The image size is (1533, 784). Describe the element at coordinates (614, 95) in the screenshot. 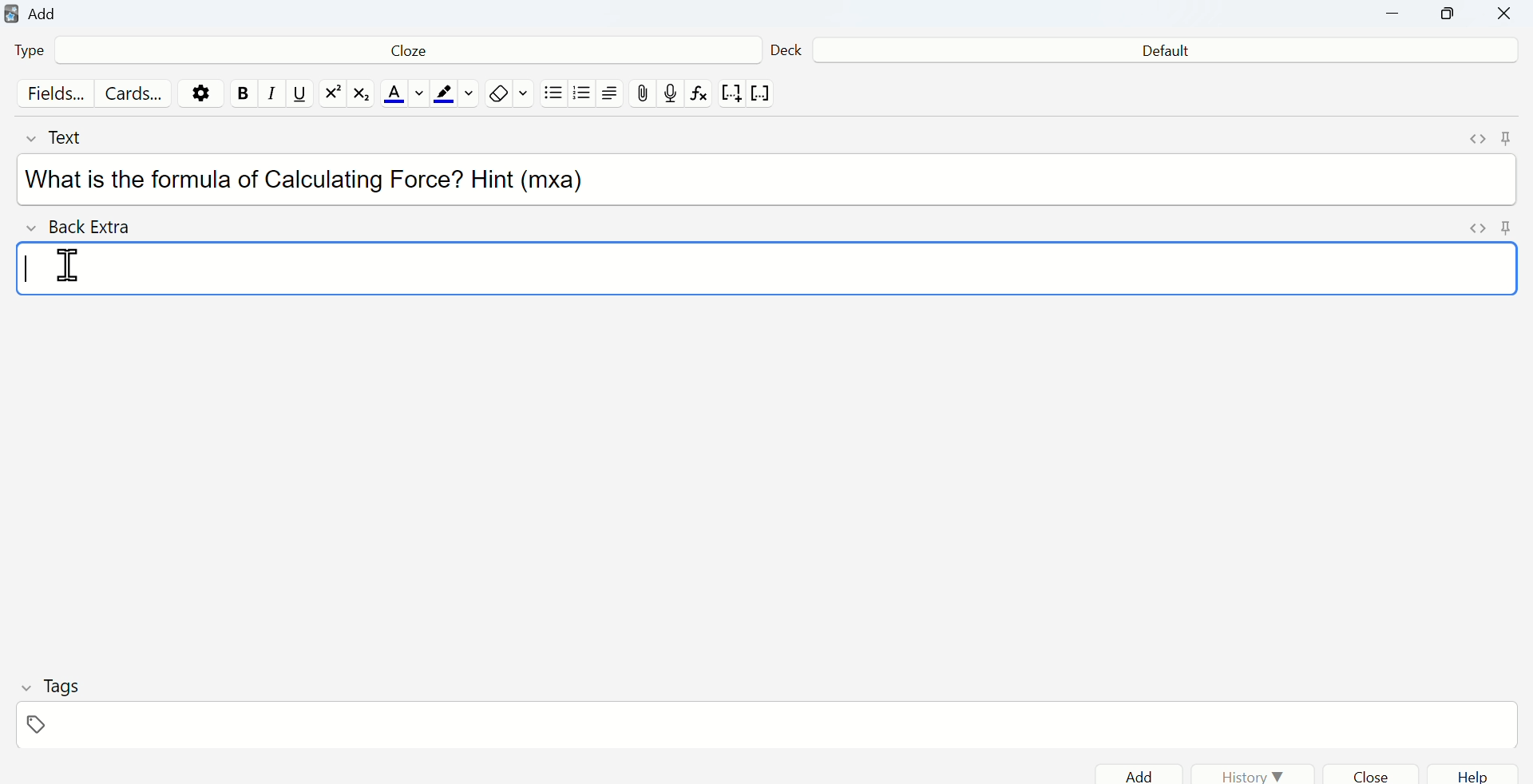

I see `Align` at that location.